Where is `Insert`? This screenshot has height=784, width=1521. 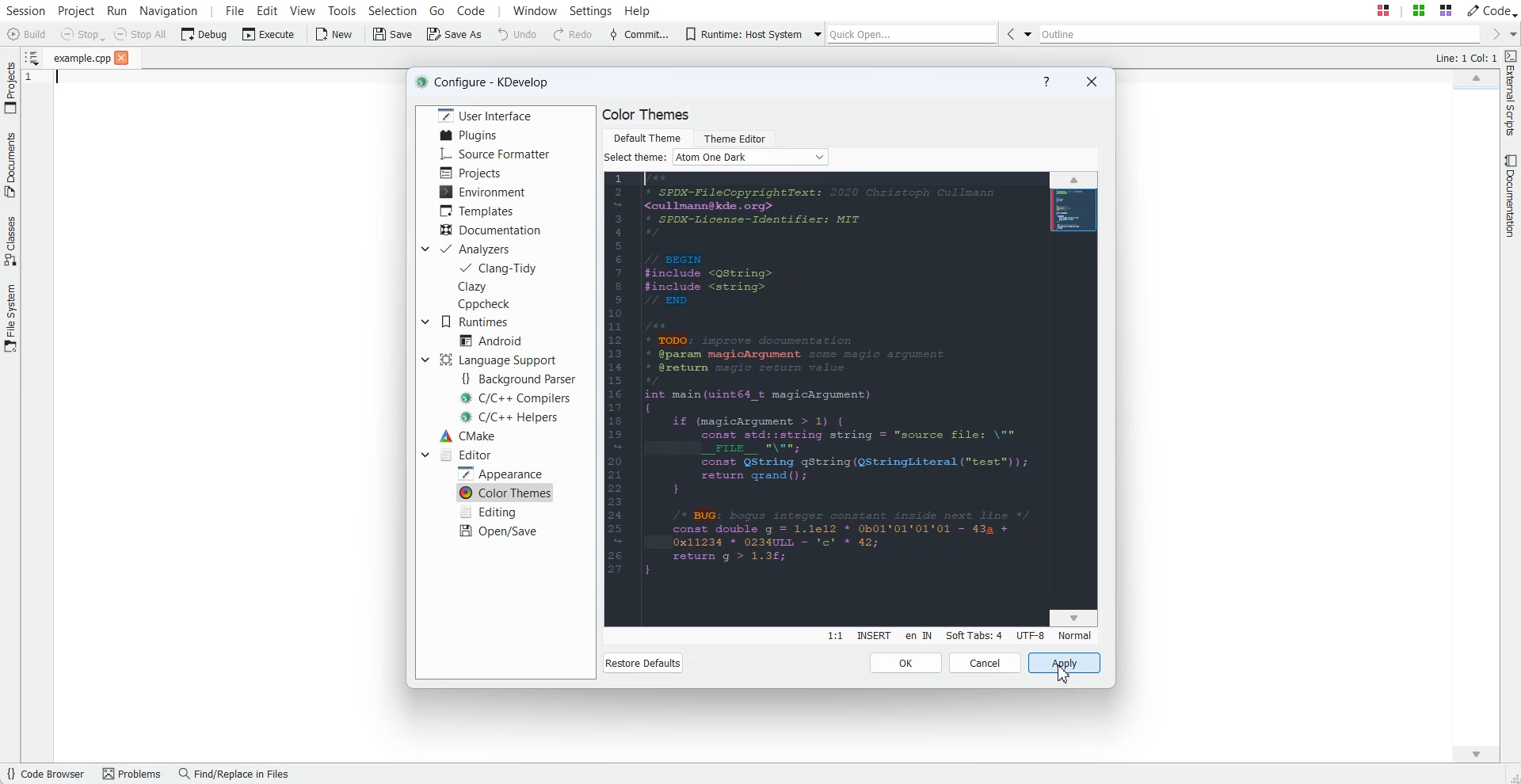 Insert is located at coordinates (873, 636).